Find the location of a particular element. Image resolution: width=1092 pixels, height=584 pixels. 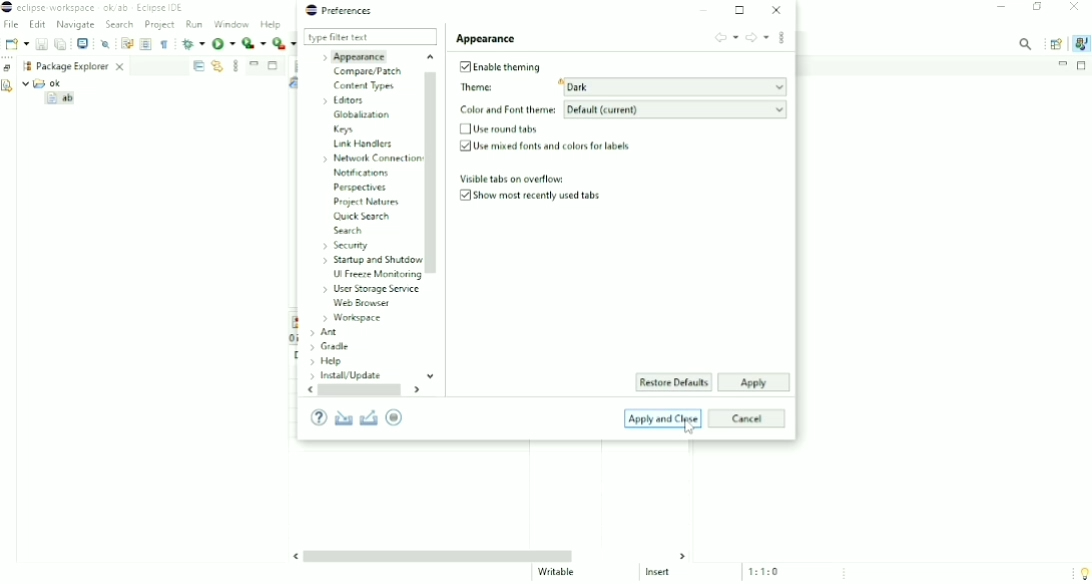

Web Browser is located at coordinates (362, 302).